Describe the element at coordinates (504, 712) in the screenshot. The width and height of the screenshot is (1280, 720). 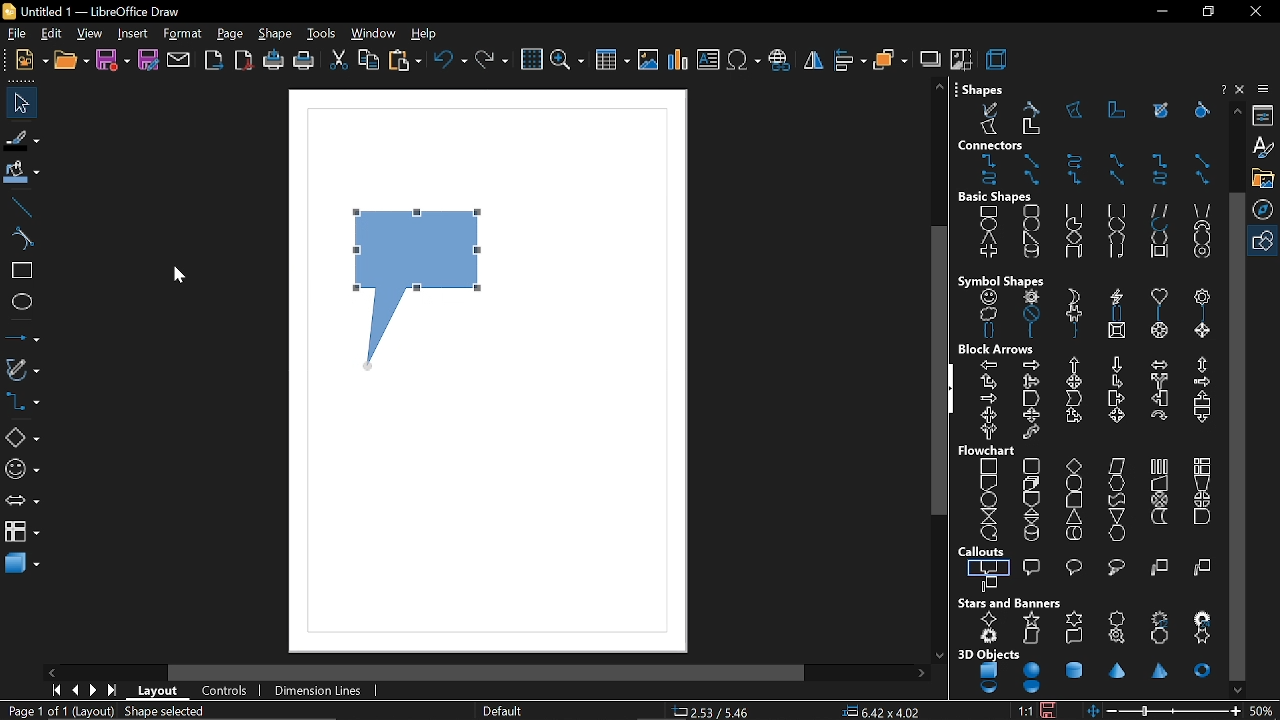
I see `page style` at that location.